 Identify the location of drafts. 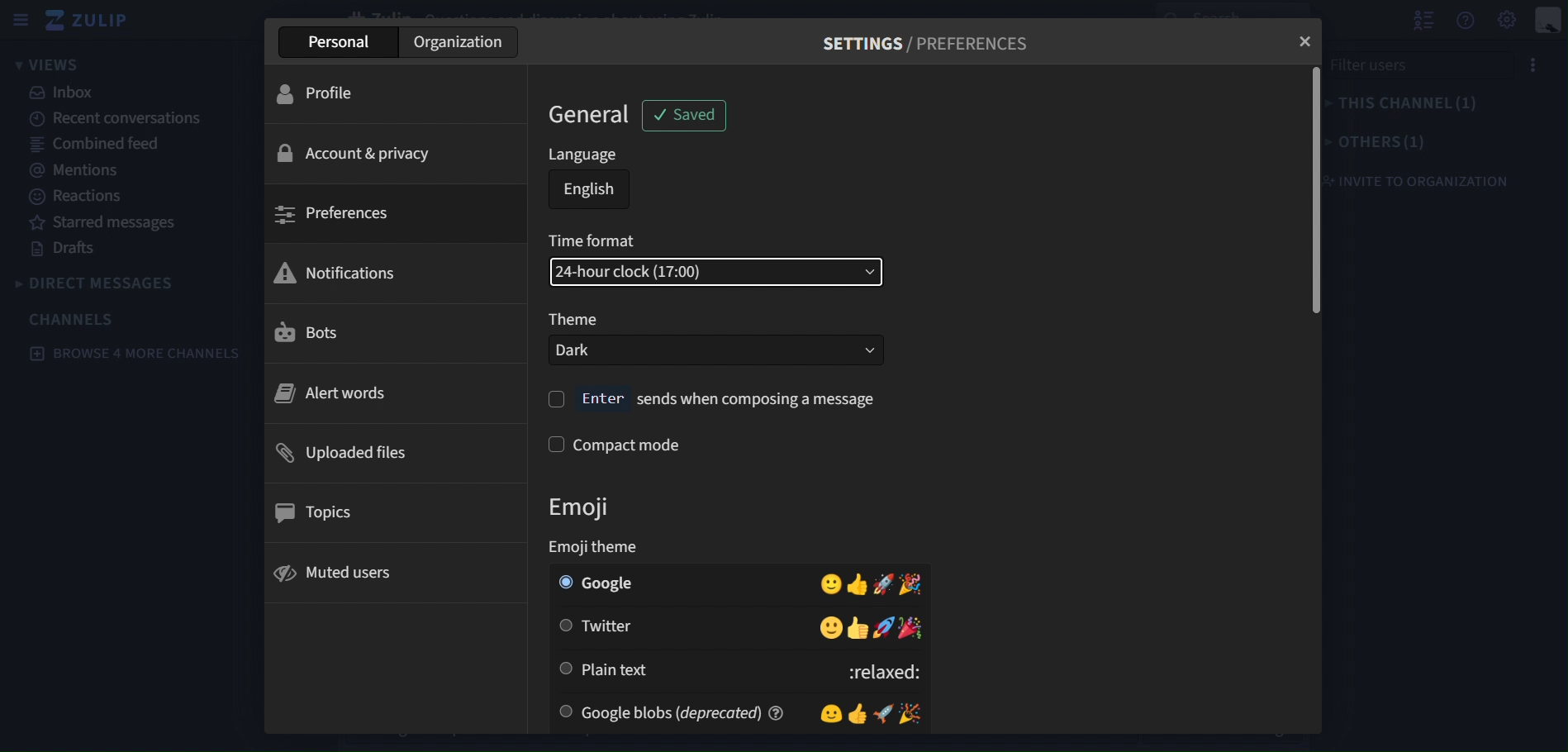
(72, 250).